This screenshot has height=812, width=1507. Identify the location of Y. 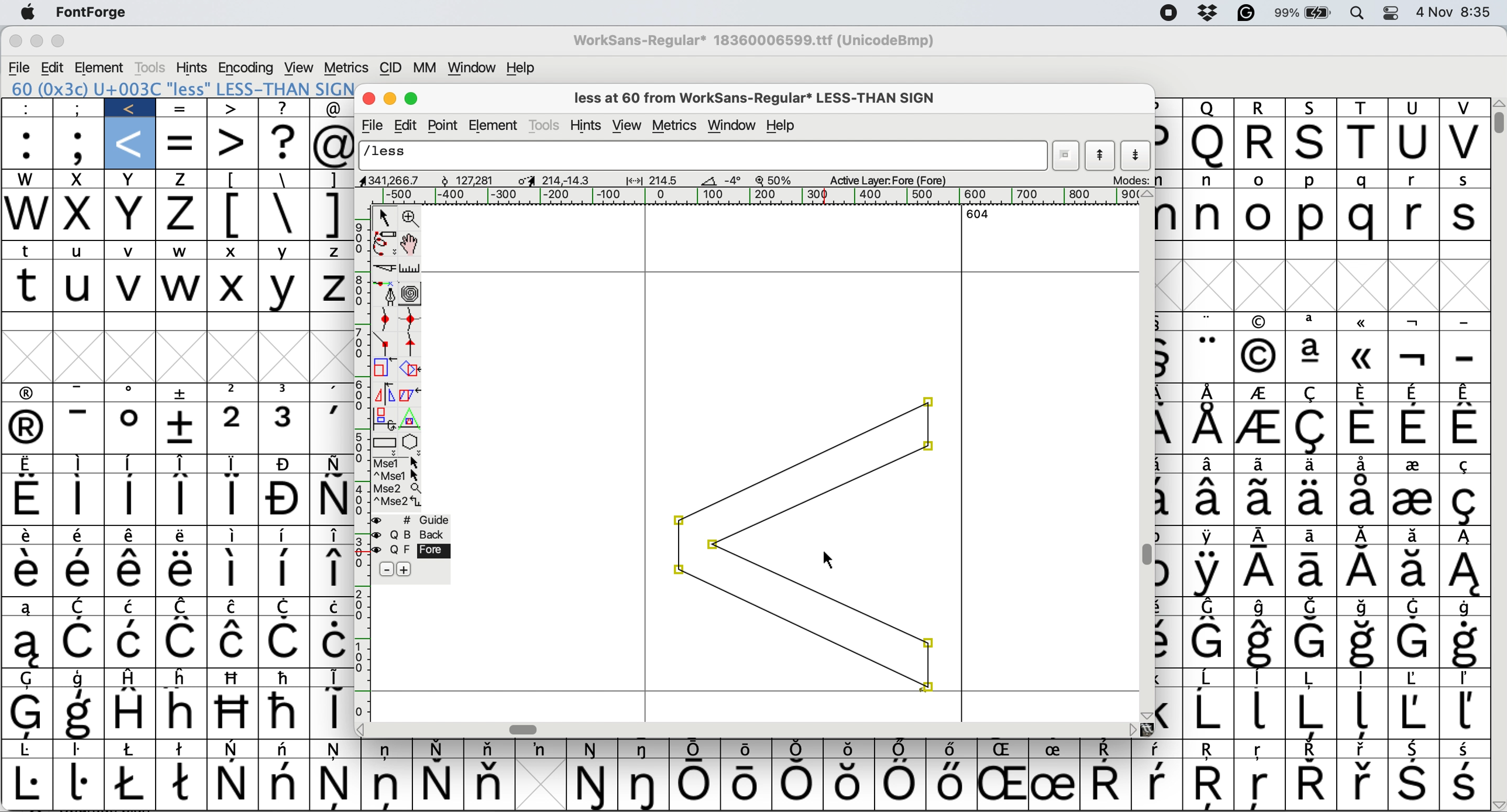
(284, 248).